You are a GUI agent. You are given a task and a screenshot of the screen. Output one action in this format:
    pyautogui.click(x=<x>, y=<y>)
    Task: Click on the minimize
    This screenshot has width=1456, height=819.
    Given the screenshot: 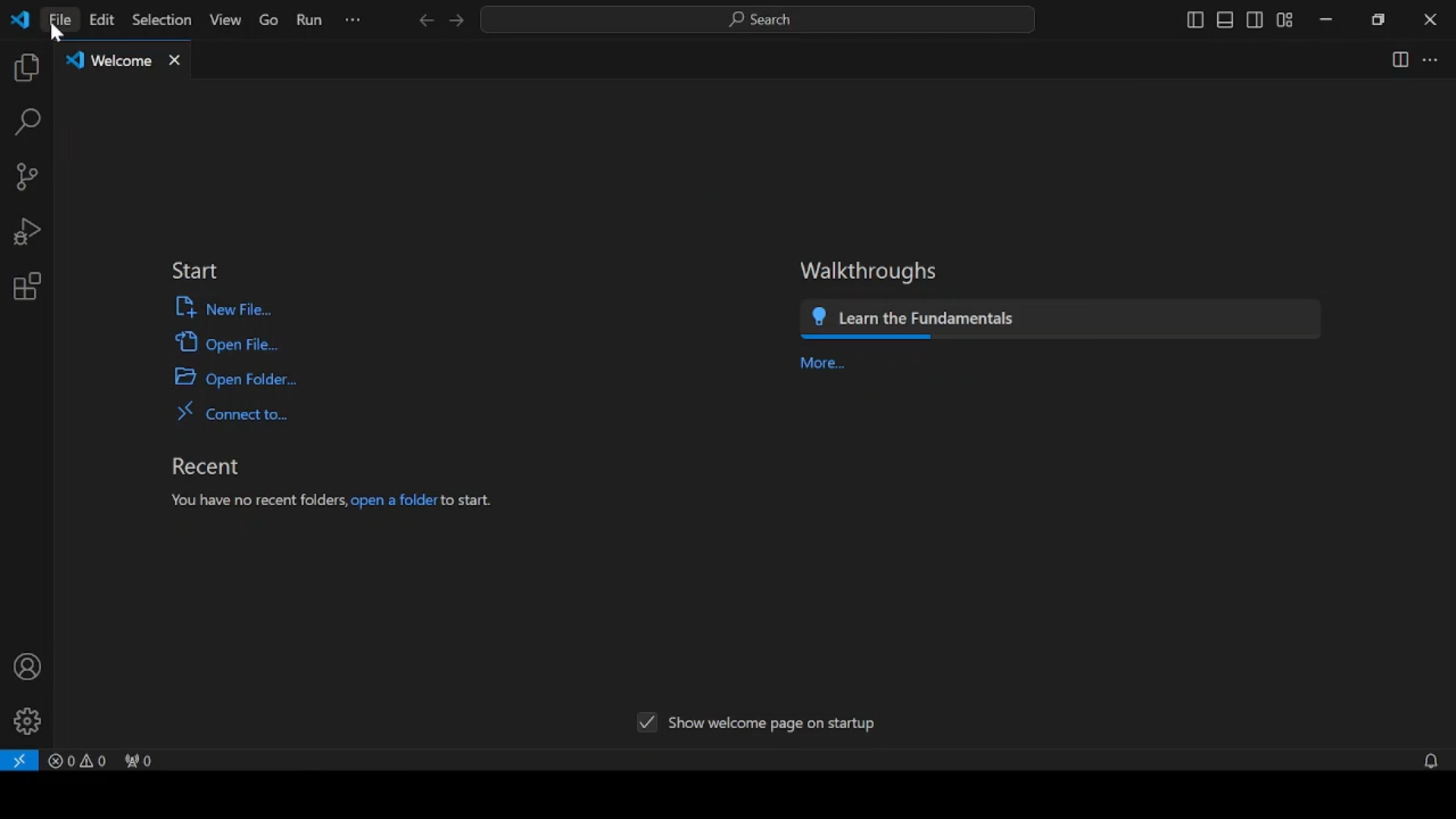 What is the action you would take?
    pyautogui.click(x=1329, y=19)
    